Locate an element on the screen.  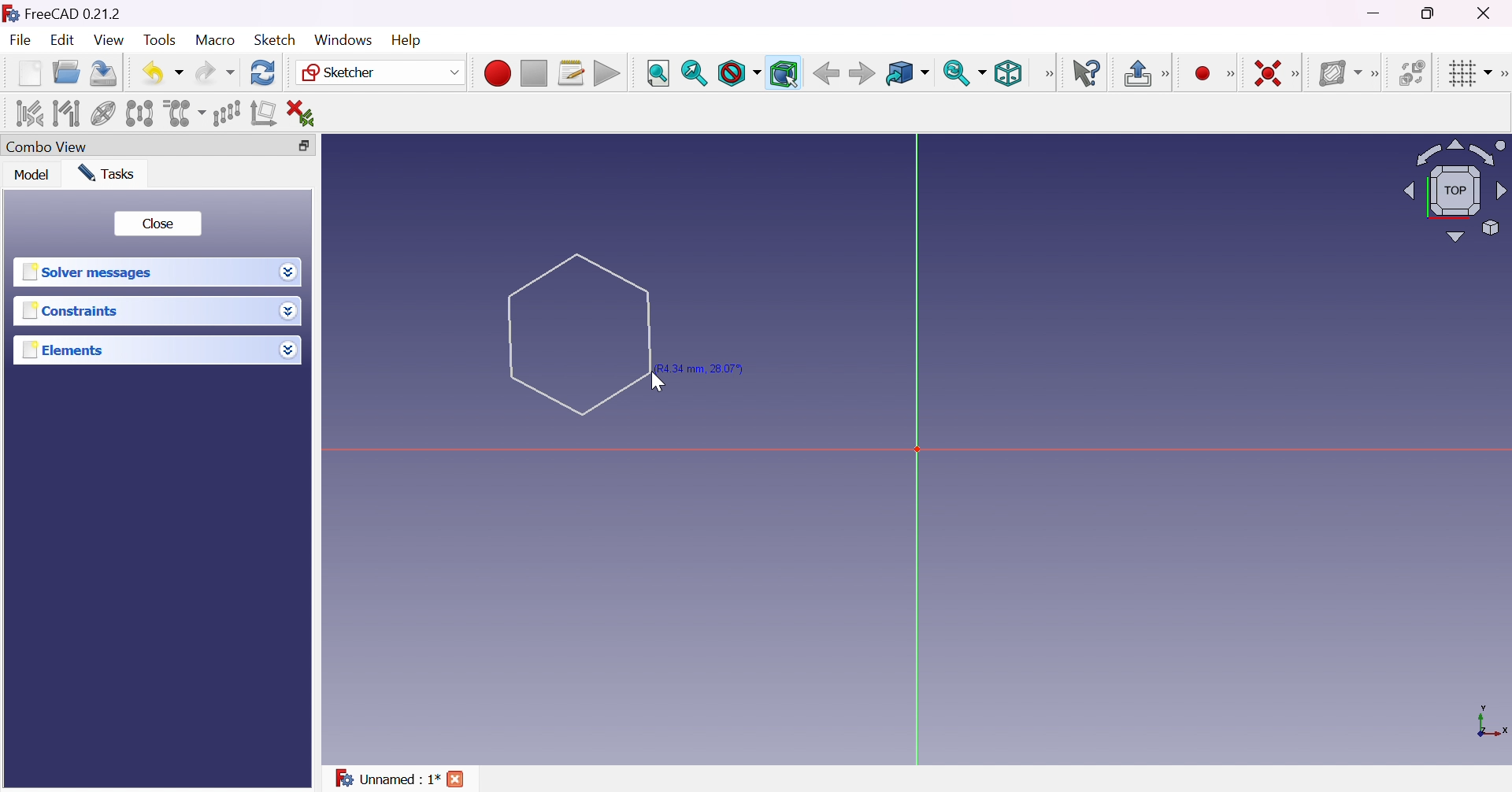
Fit all is located at coordinates (659, 74).